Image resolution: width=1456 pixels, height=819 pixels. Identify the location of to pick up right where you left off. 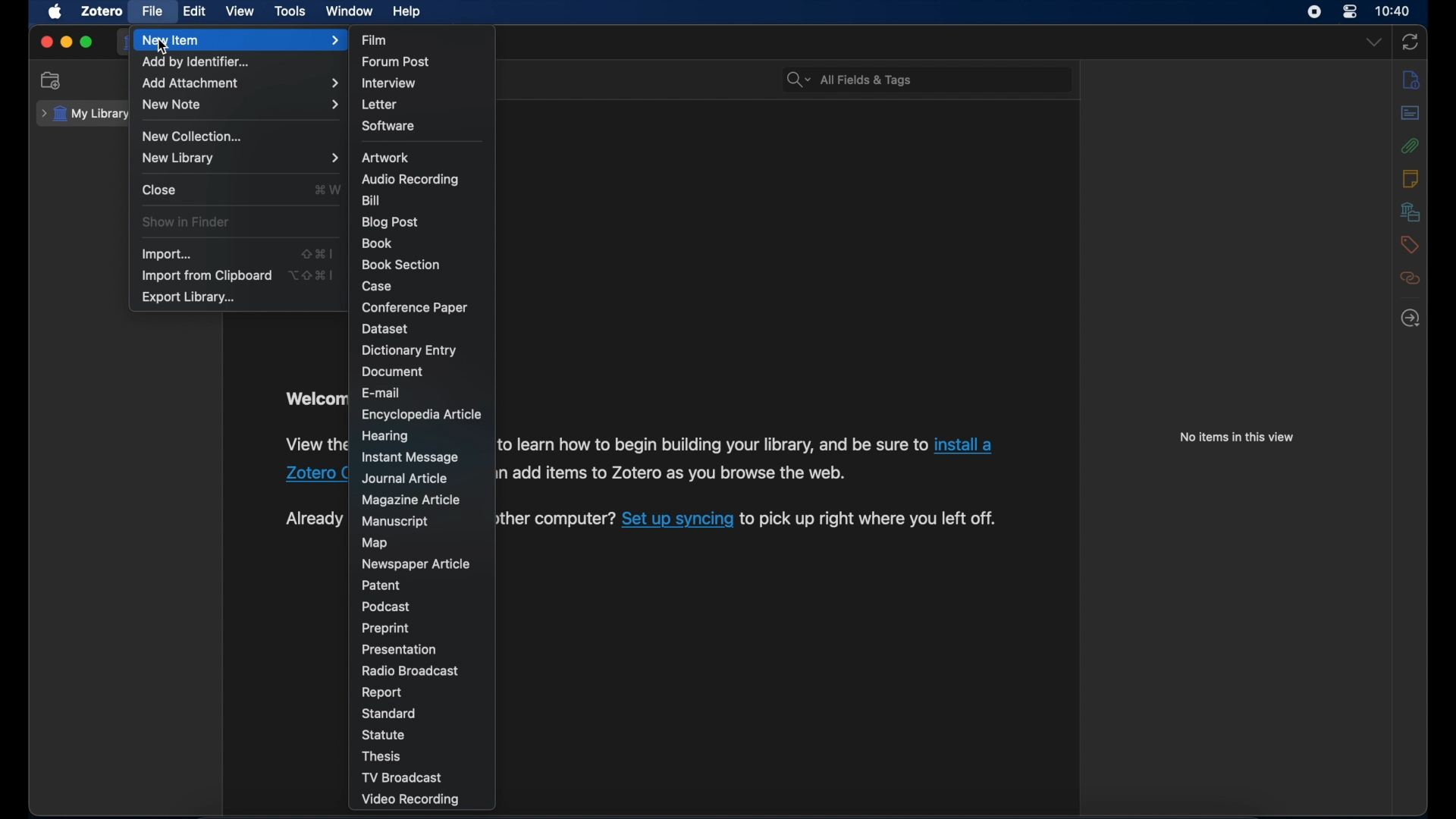
(871, 520).